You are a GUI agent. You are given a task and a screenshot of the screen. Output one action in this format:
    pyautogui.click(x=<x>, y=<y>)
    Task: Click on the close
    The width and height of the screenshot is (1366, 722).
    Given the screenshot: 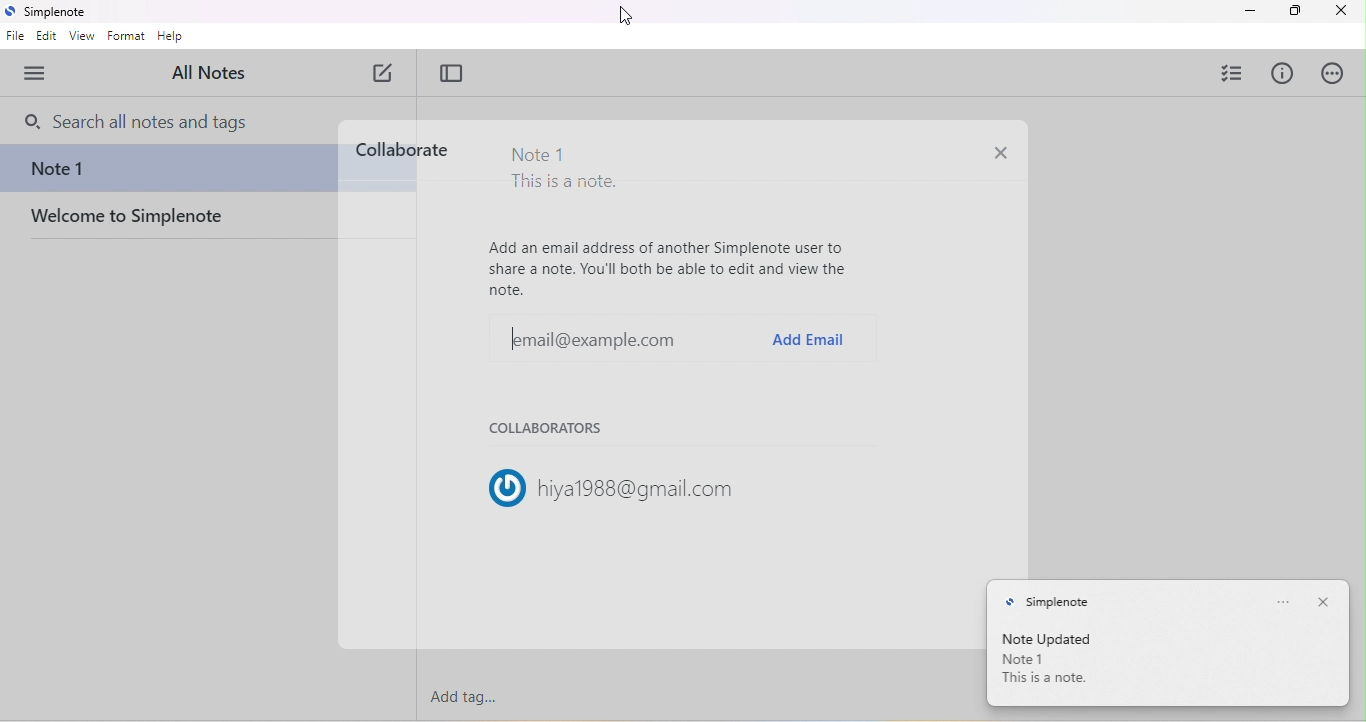 What is the action you would take?
    pyautogui.click(x=1340, y=12)
    